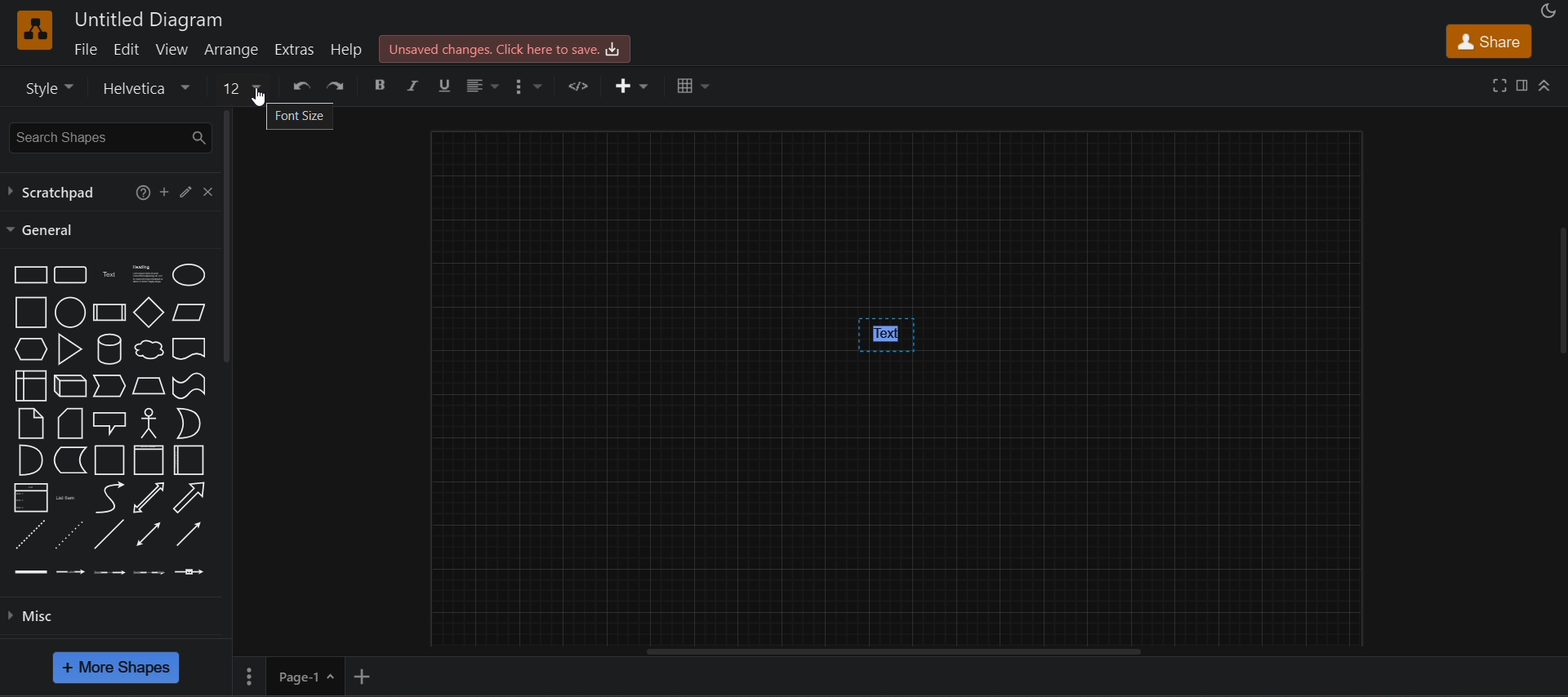  Describe the element at coordinates (35, 30) in the screenshot. I see `Software logo` at that location.